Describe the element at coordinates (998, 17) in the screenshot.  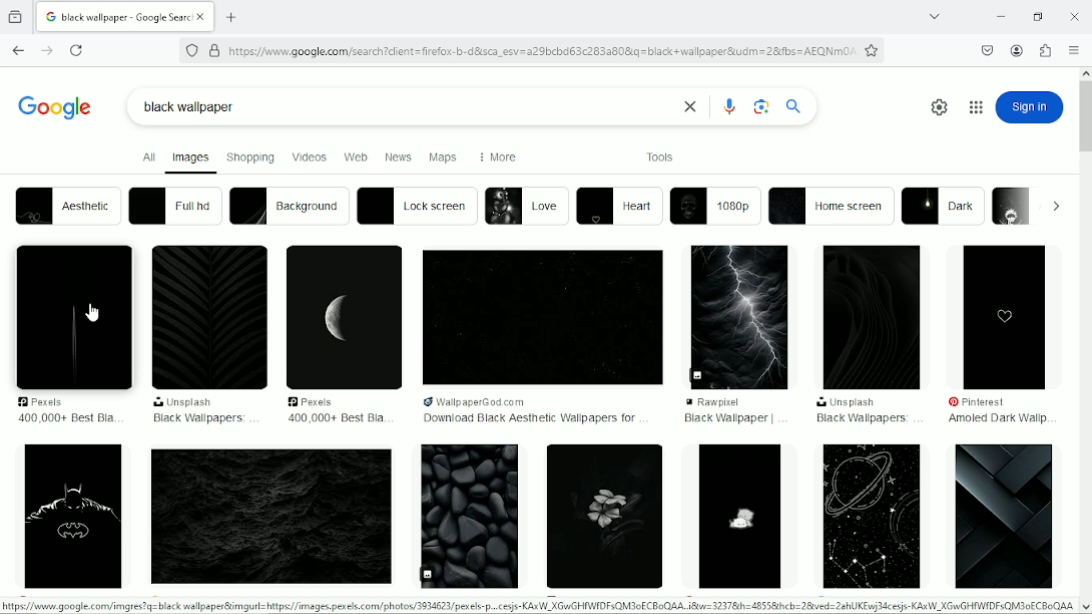
I see `minimize` at that location.